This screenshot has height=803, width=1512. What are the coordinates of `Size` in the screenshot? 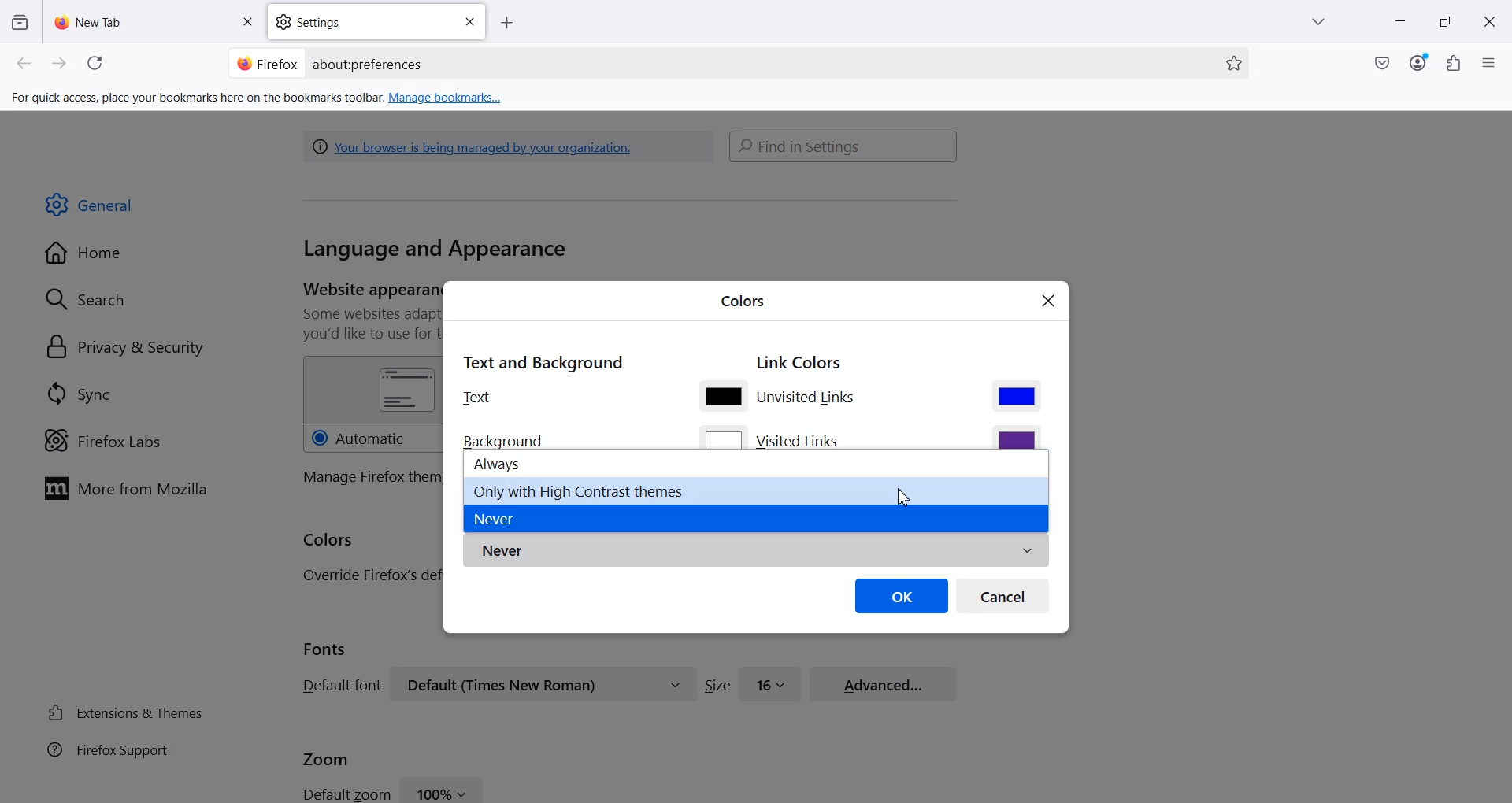 It's located at (717, 685).